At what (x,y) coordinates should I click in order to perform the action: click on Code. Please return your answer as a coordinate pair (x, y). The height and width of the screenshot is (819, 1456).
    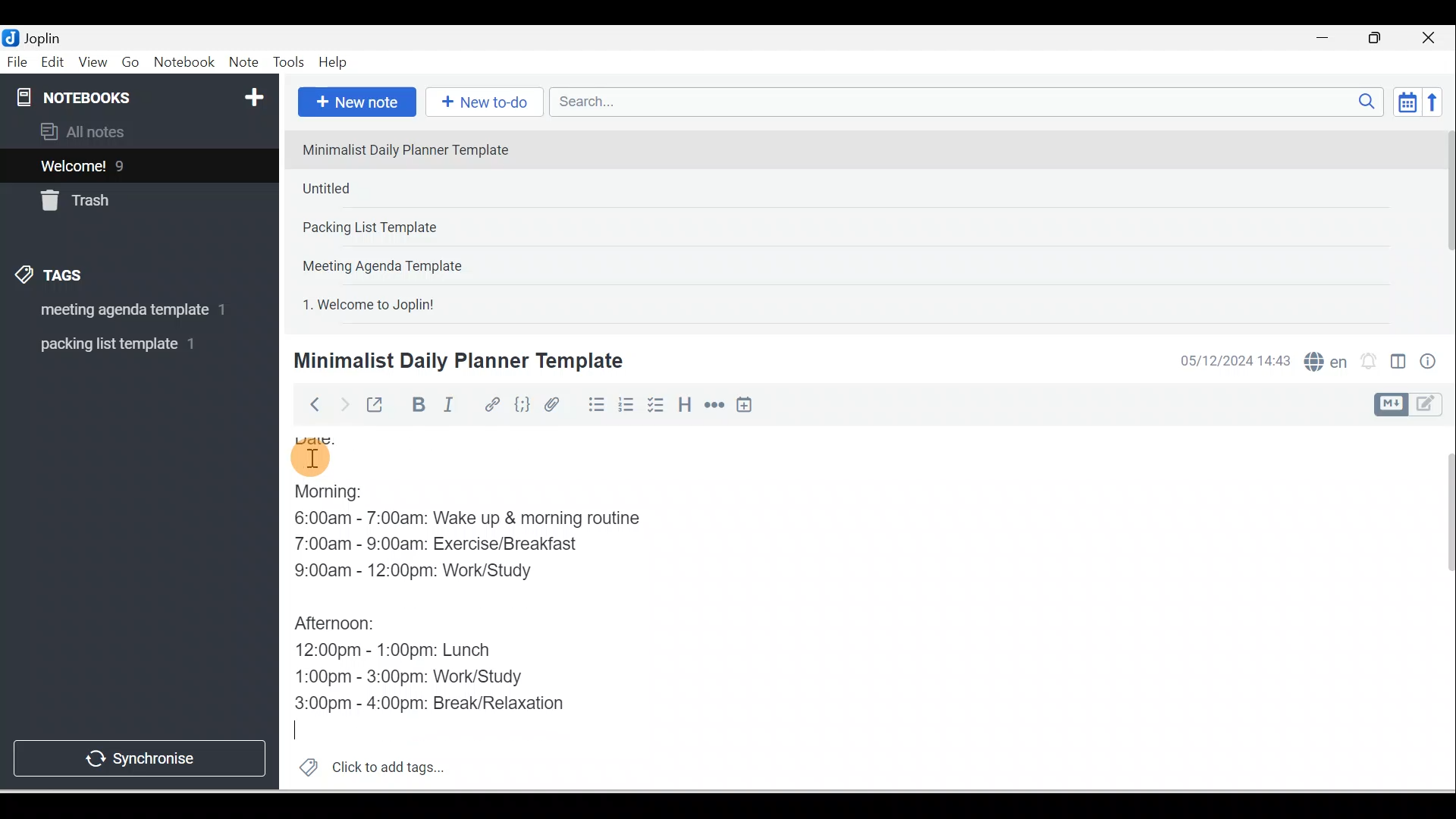
    Looking at the image, I should click on (522, 406).